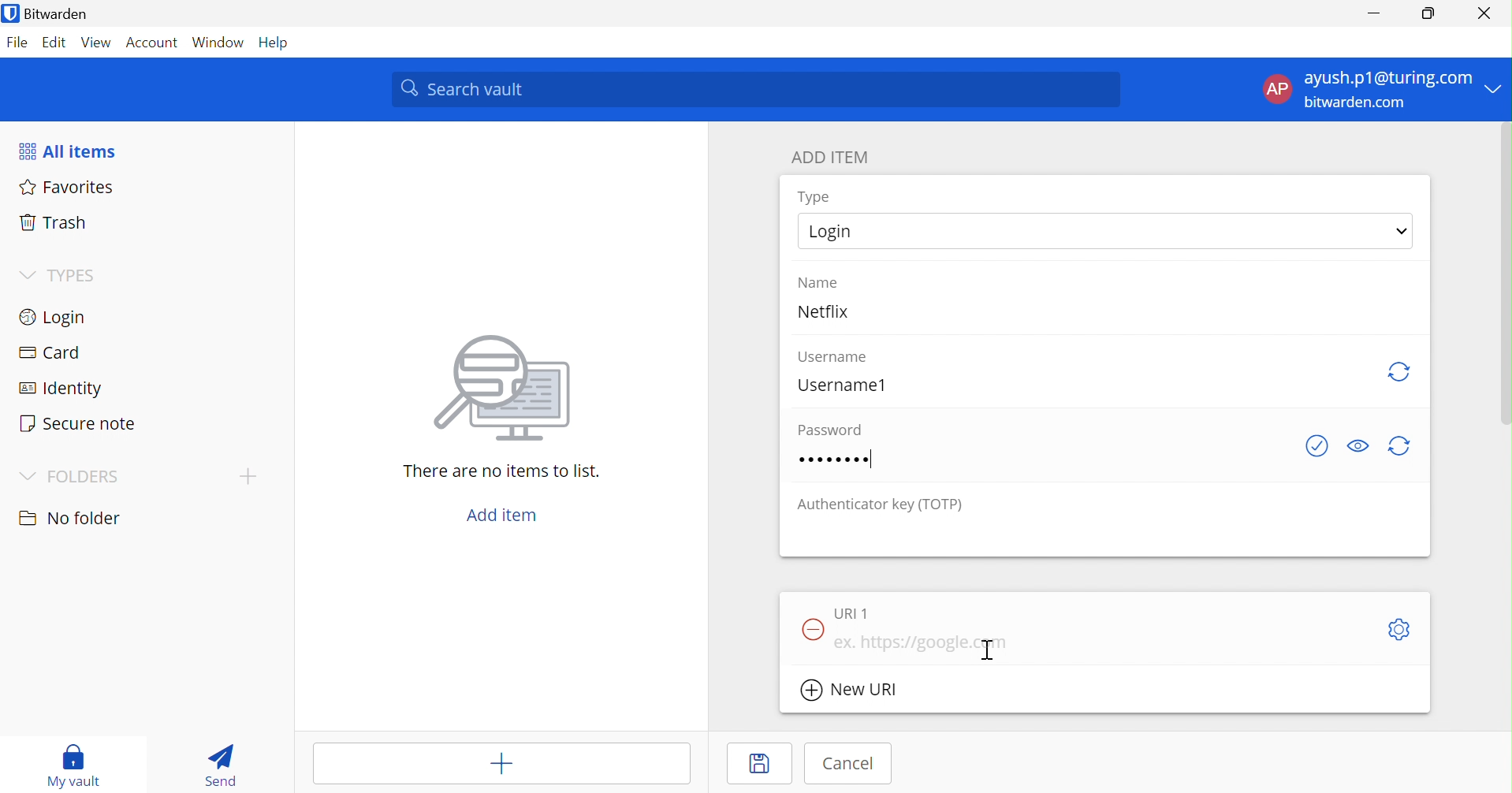 The image size is (1512, 793). Describe the element at coordinates (923, 642) in the screenshot. I see `ex. https://google.com` at that location.